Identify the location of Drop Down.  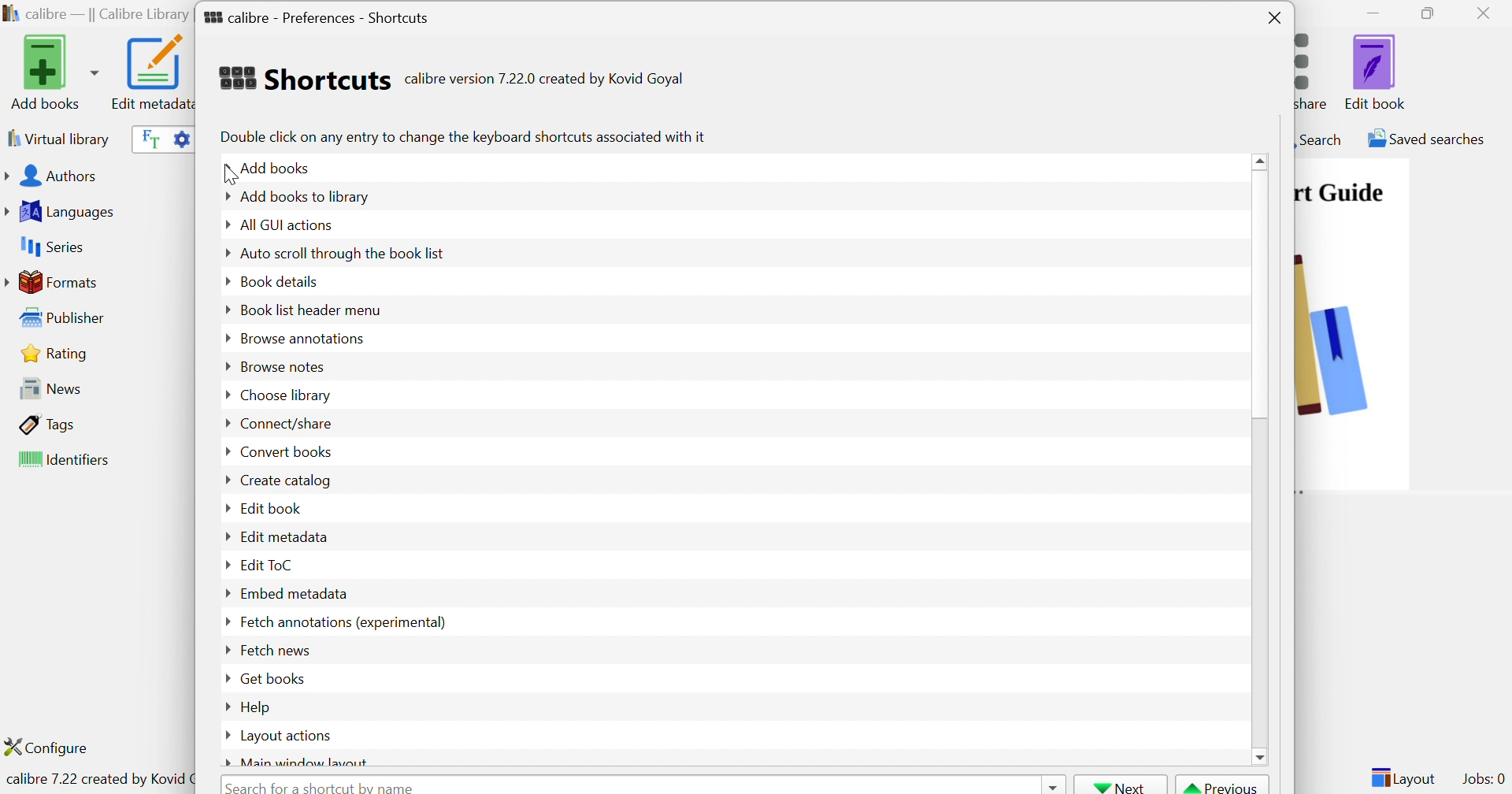
(223, 225).